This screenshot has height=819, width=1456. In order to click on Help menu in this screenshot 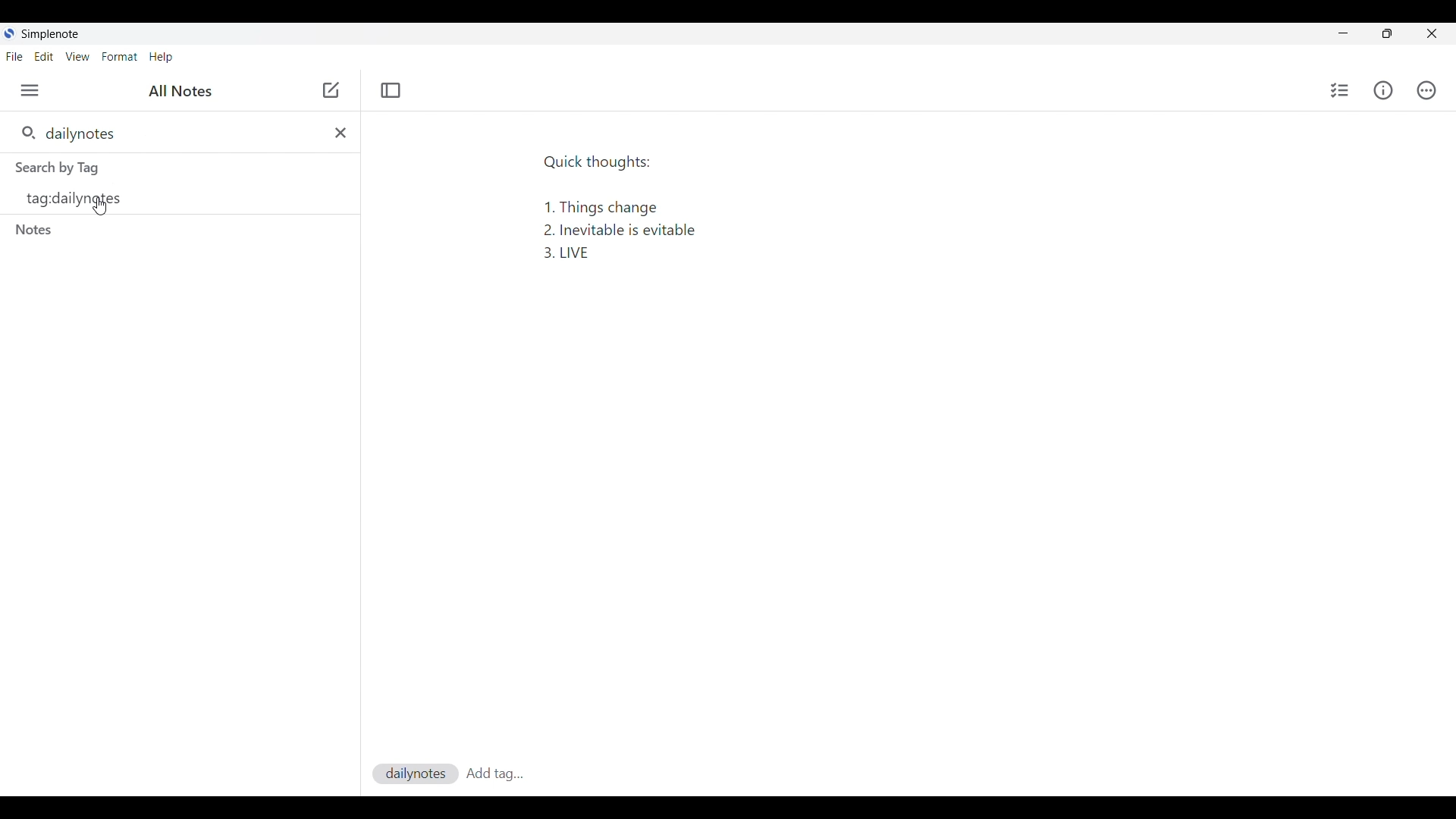, I will do `click(161, 57)`.